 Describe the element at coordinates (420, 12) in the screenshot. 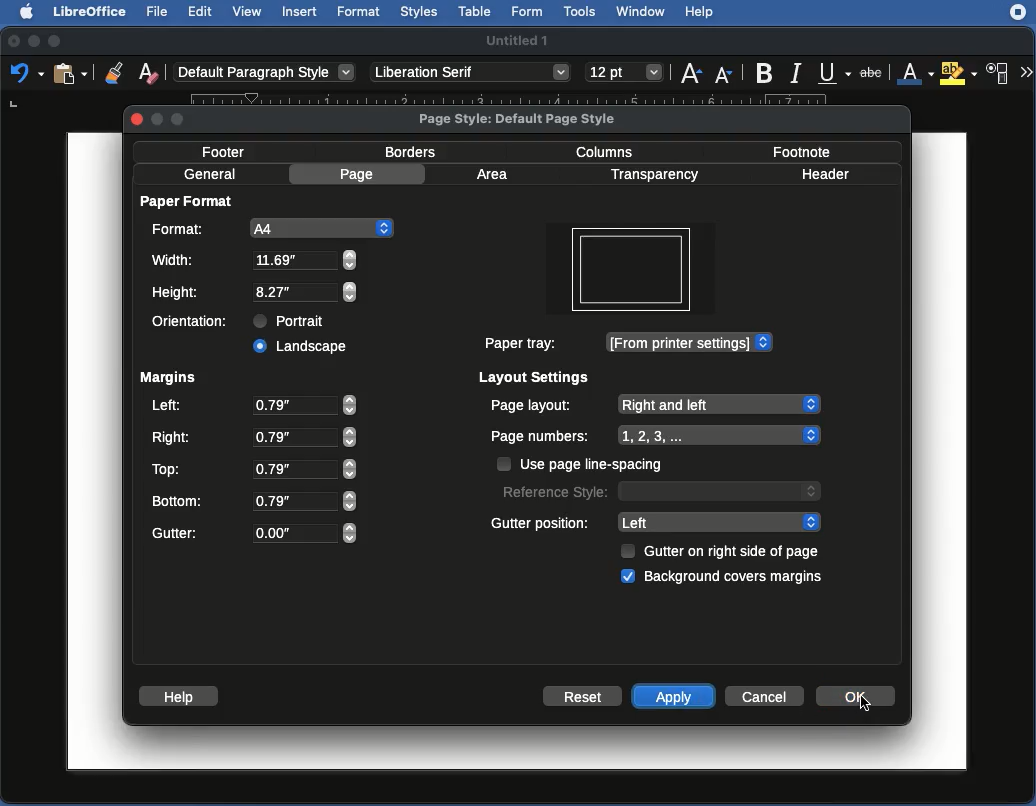

I see `Styles` at that location.